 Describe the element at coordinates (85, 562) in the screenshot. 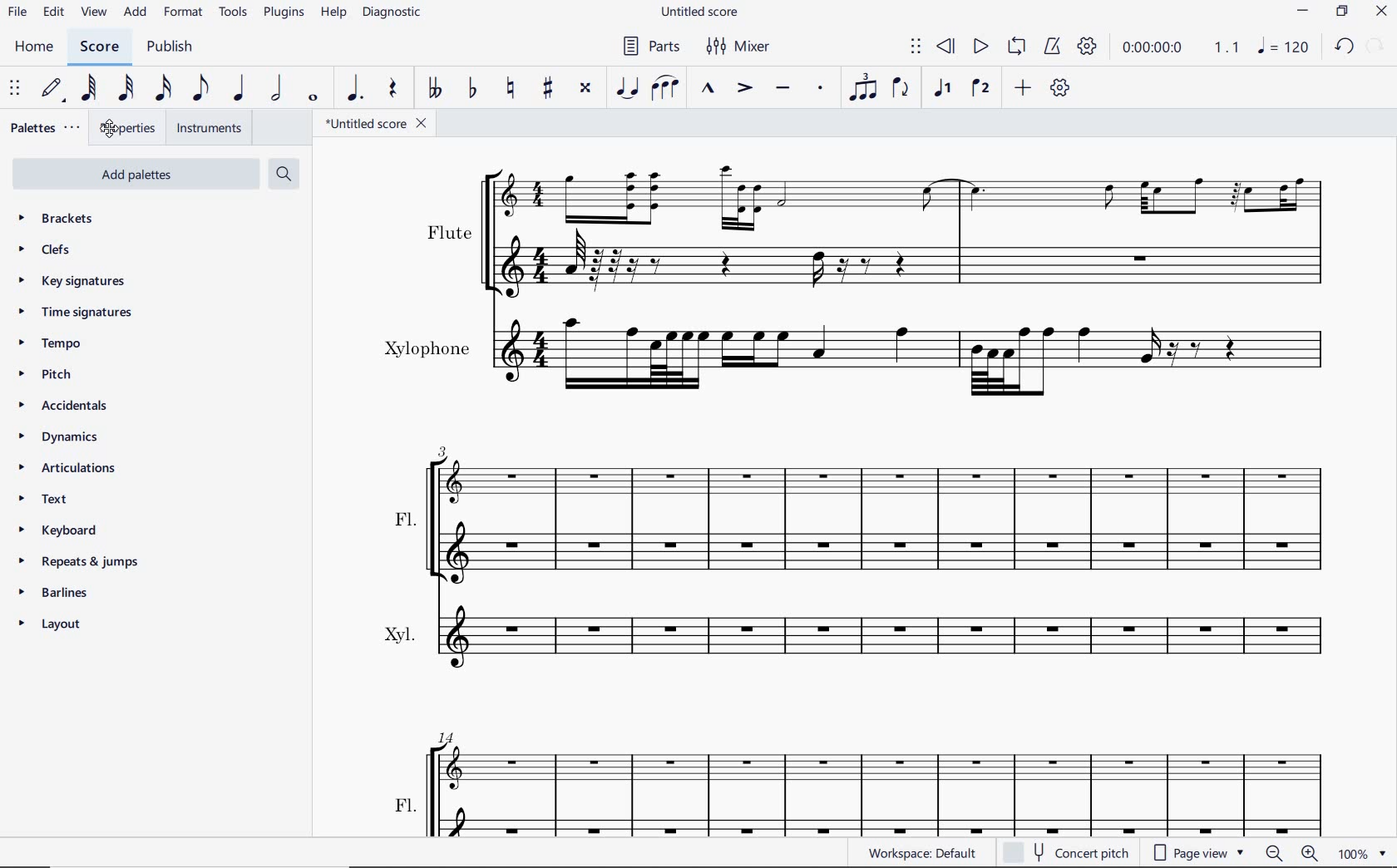

I see `repeats & jumps` at that location.